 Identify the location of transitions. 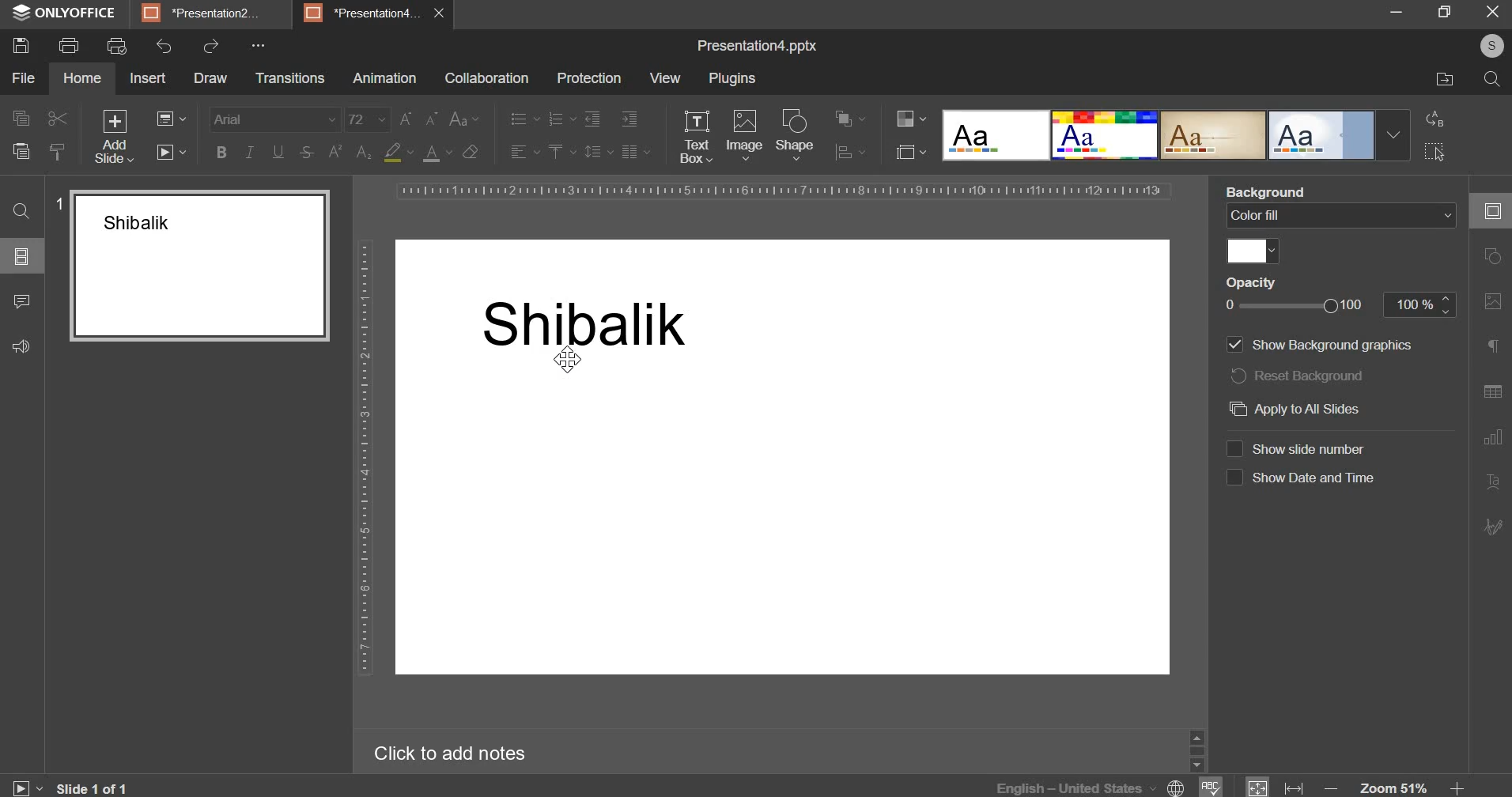
(289, 78).